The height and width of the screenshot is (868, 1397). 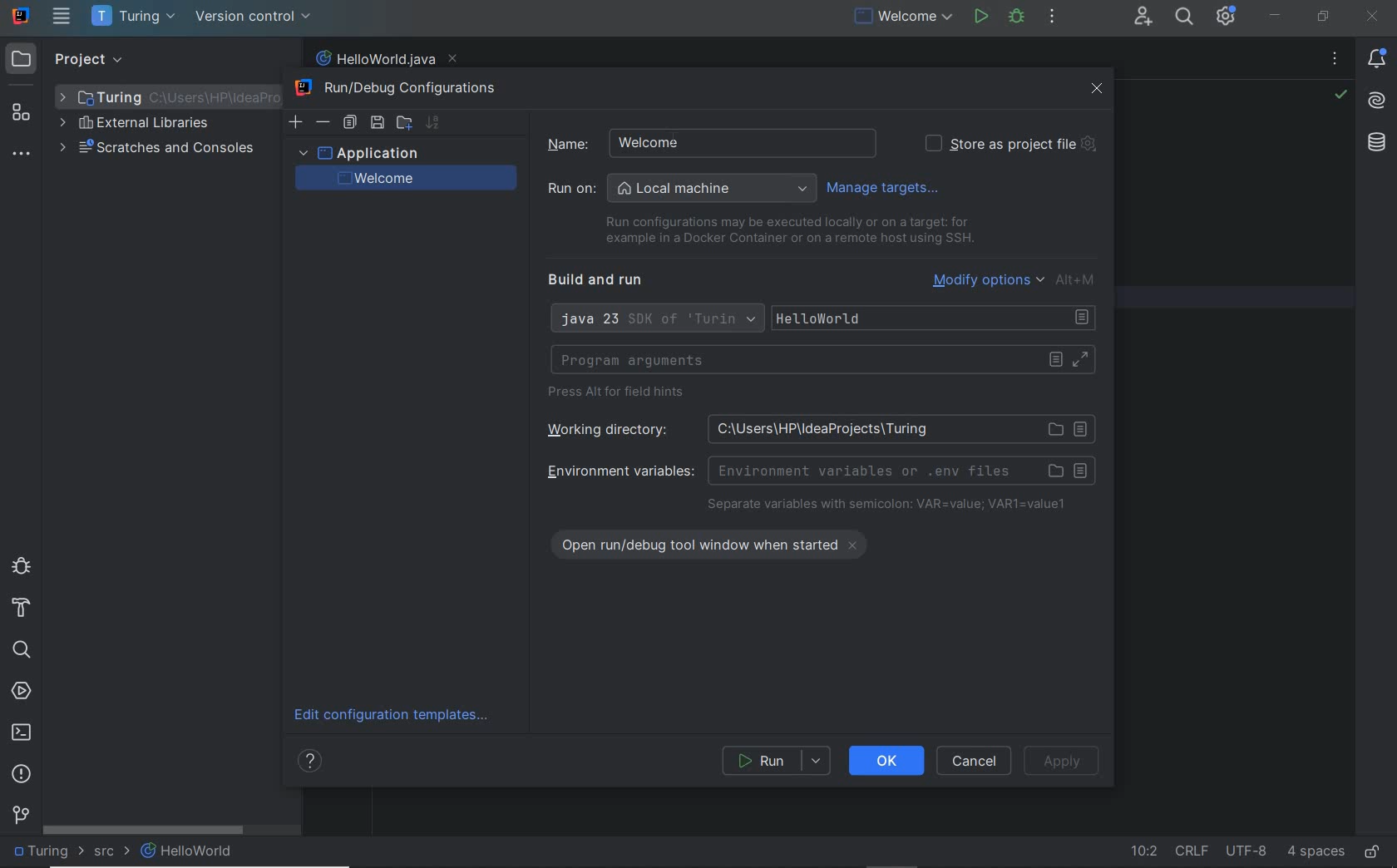 What do you see at coordinates (682, 189) in the screenshot?
I see `Run On` at bounding box center [682, 189].